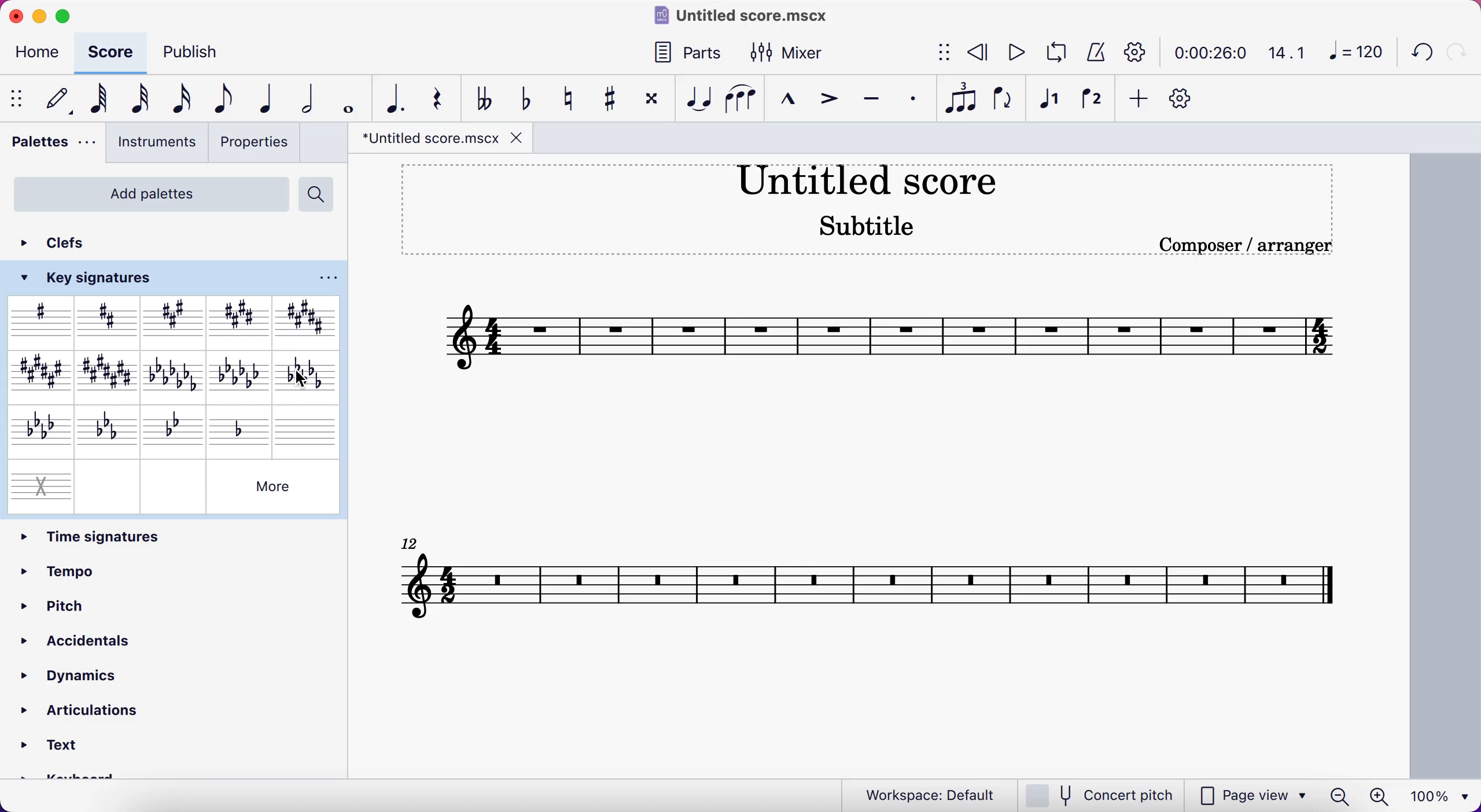  What do you see at coordinates (890, 338) in the screenshot?
I see `score` at bounding box center [890, 338].